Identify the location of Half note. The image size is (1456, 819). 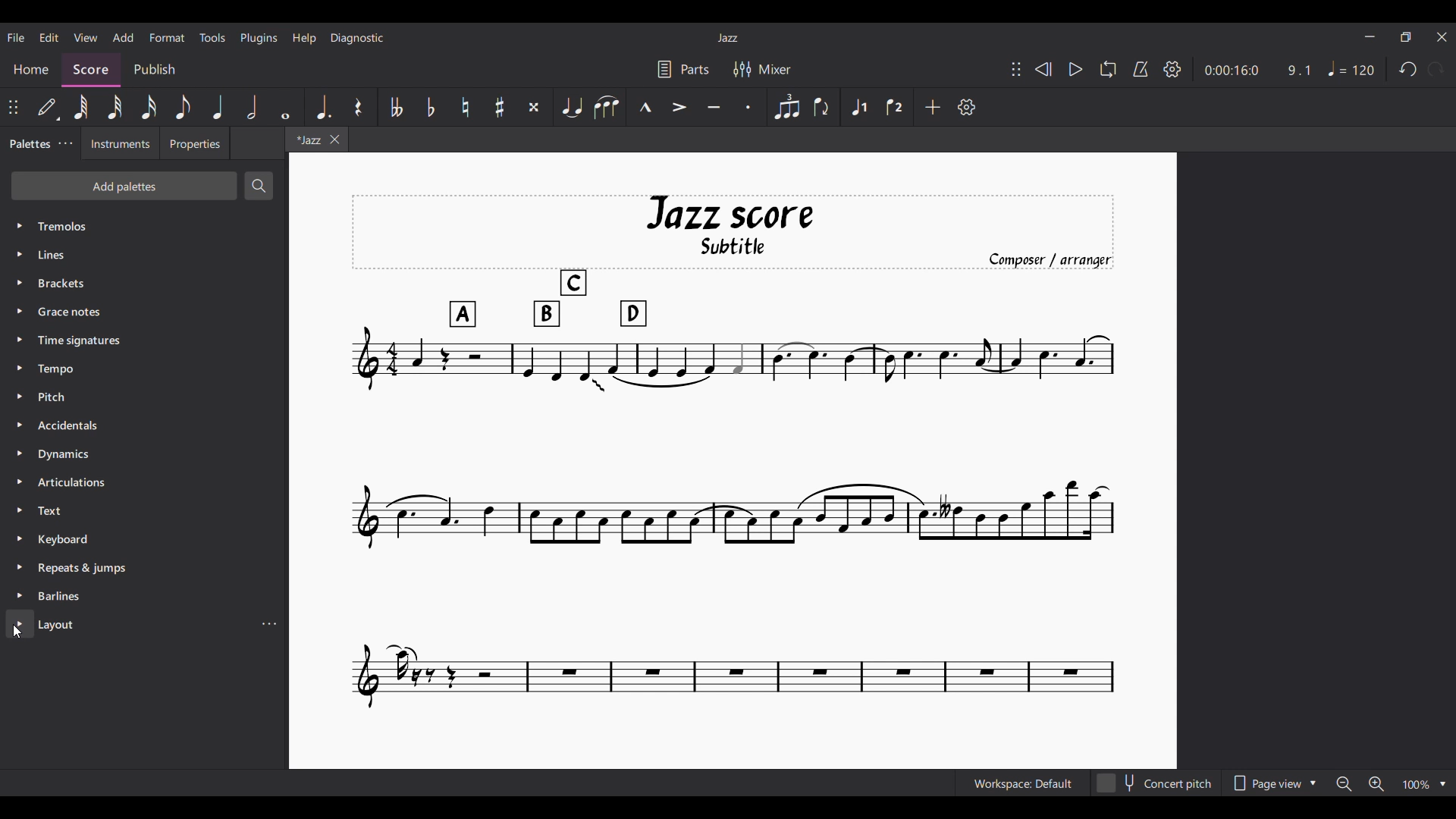
(252, 107).